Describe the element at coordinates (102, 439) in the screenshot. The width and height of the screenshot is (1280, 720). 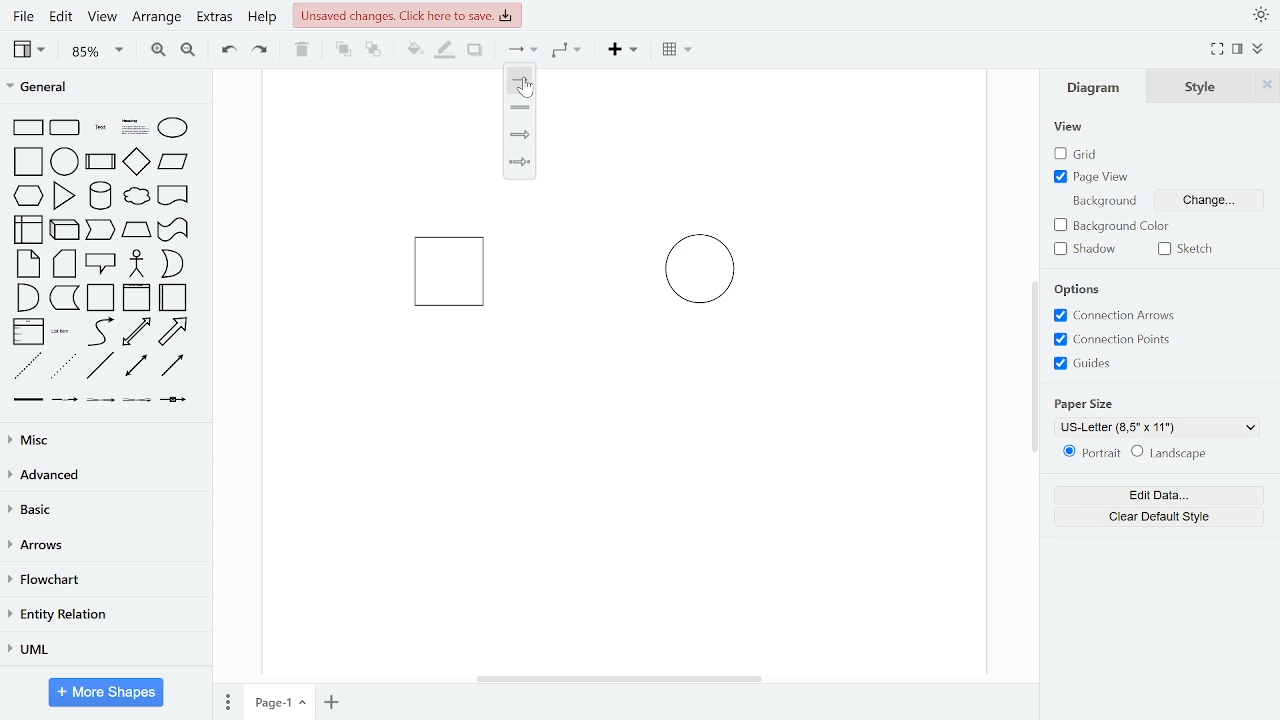
I see `misc` at that location.